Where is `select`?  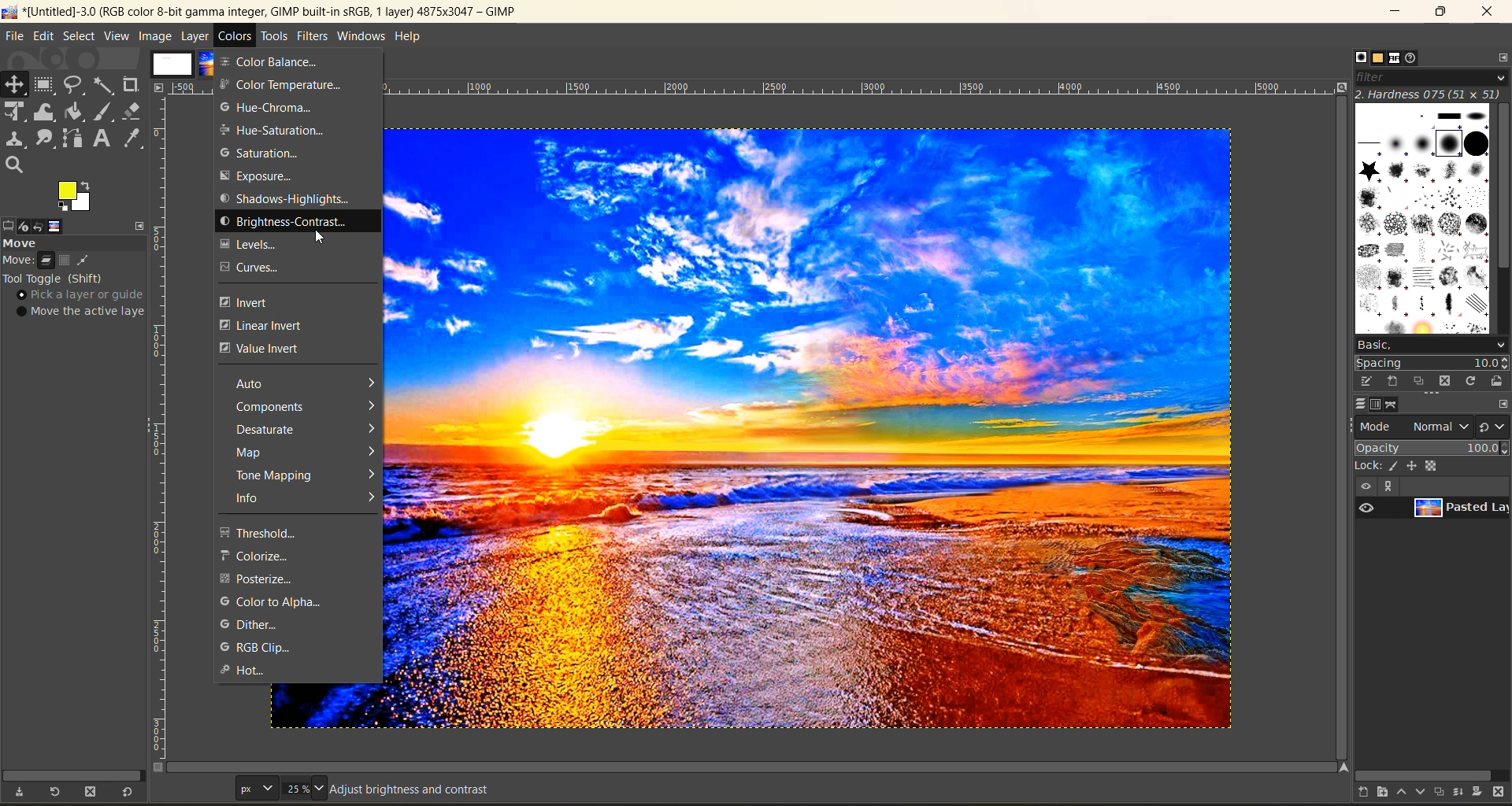 select is located at coordinates (81, 37).